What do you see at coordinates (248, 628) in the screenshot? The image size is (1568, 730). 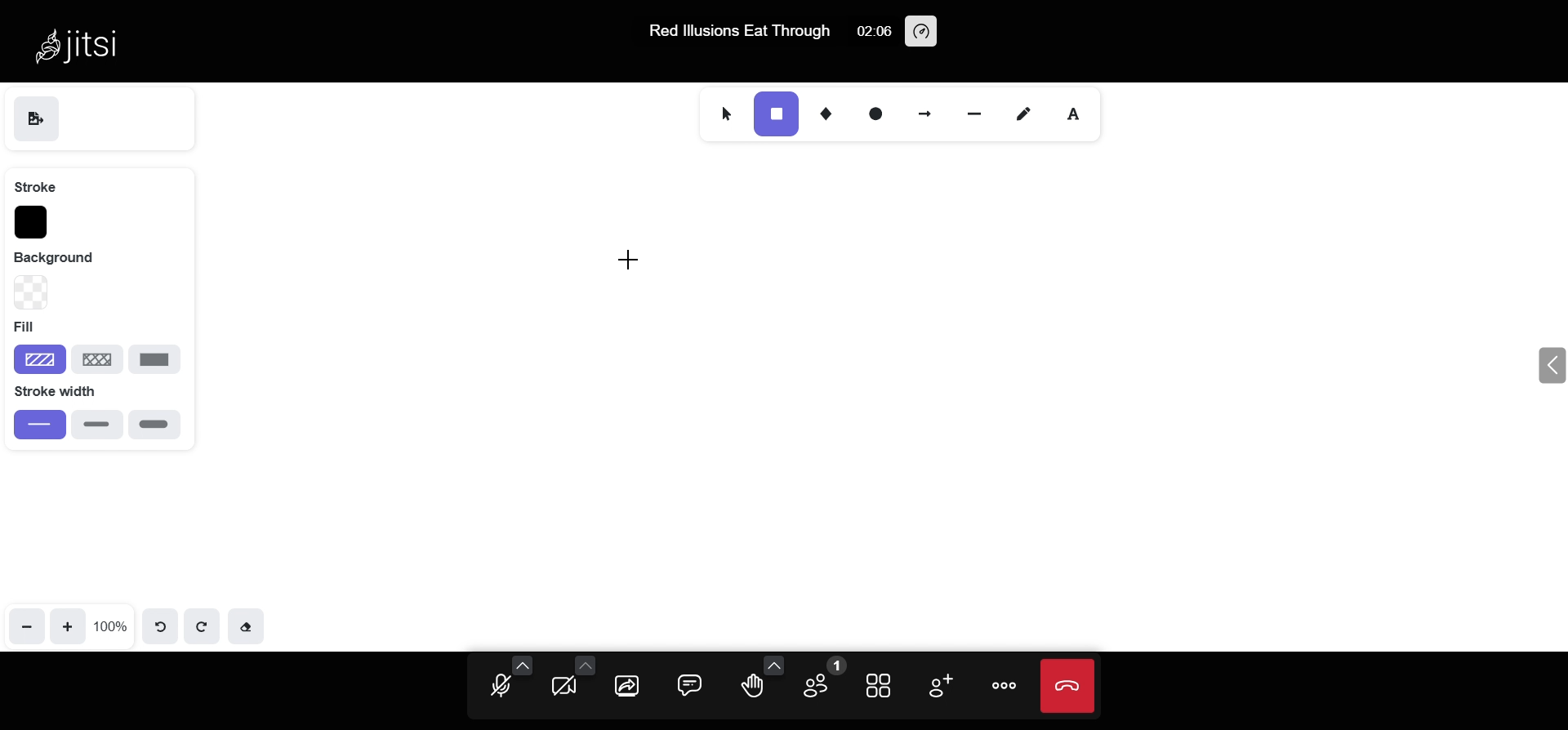 I see `eraser` at bounding box center [248, 628].